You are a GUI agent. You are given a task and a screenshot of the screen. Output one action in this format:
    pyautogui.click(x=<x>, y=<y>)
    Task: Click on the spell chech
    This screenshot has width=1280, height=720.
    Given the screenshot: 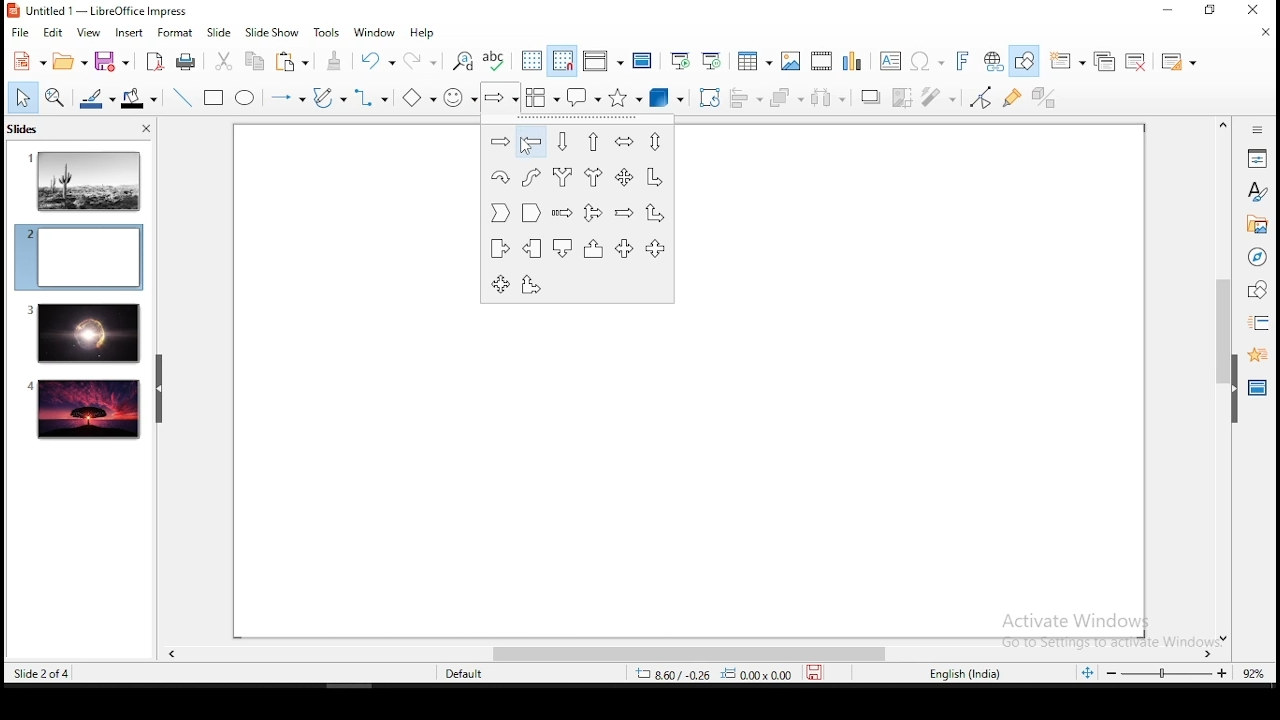 What is the action you would take?
    pyautogui.click(x=495, y=59)
    